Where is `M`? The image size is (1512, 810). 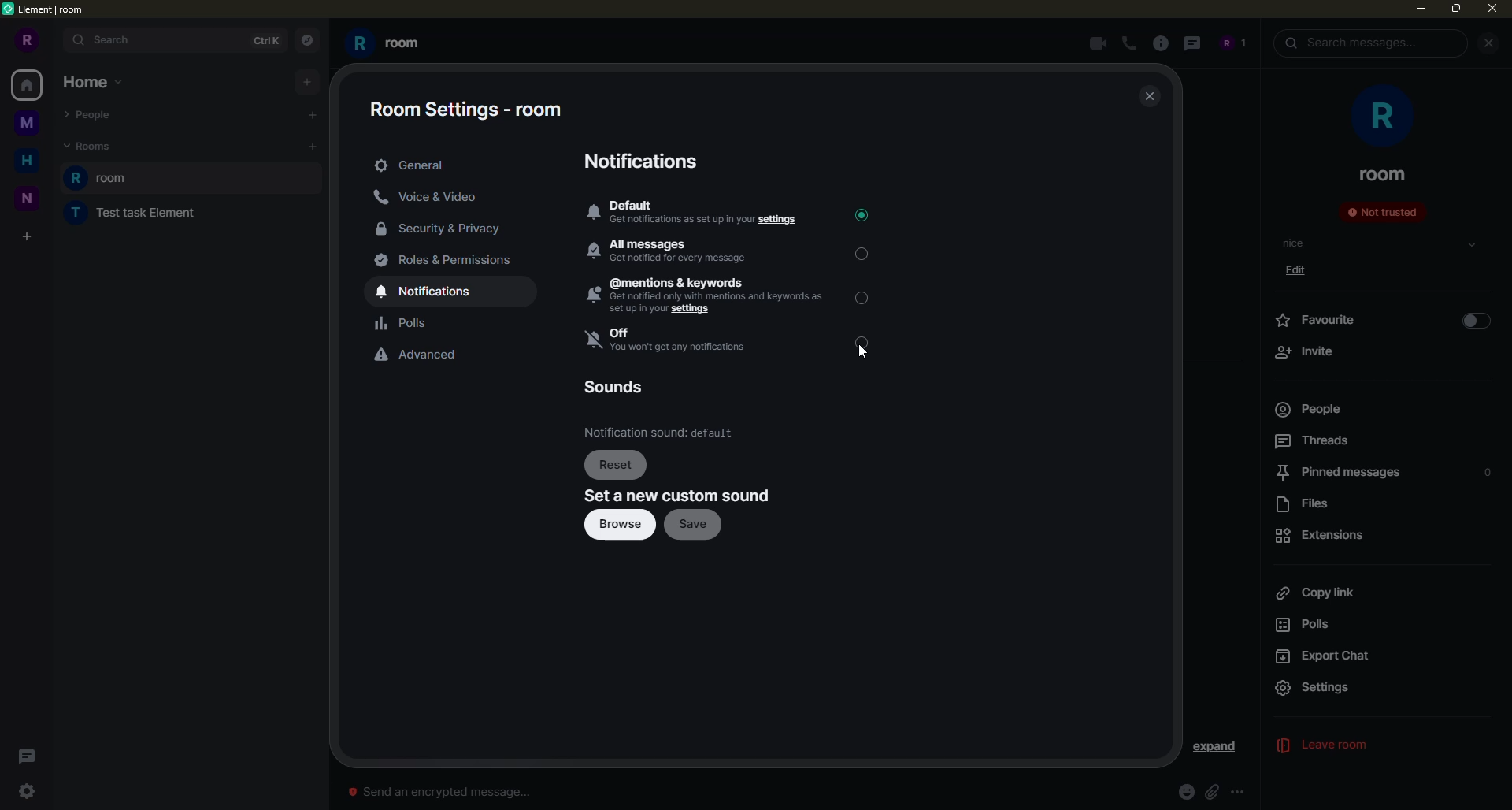 M is located at coordinates (29, 126).